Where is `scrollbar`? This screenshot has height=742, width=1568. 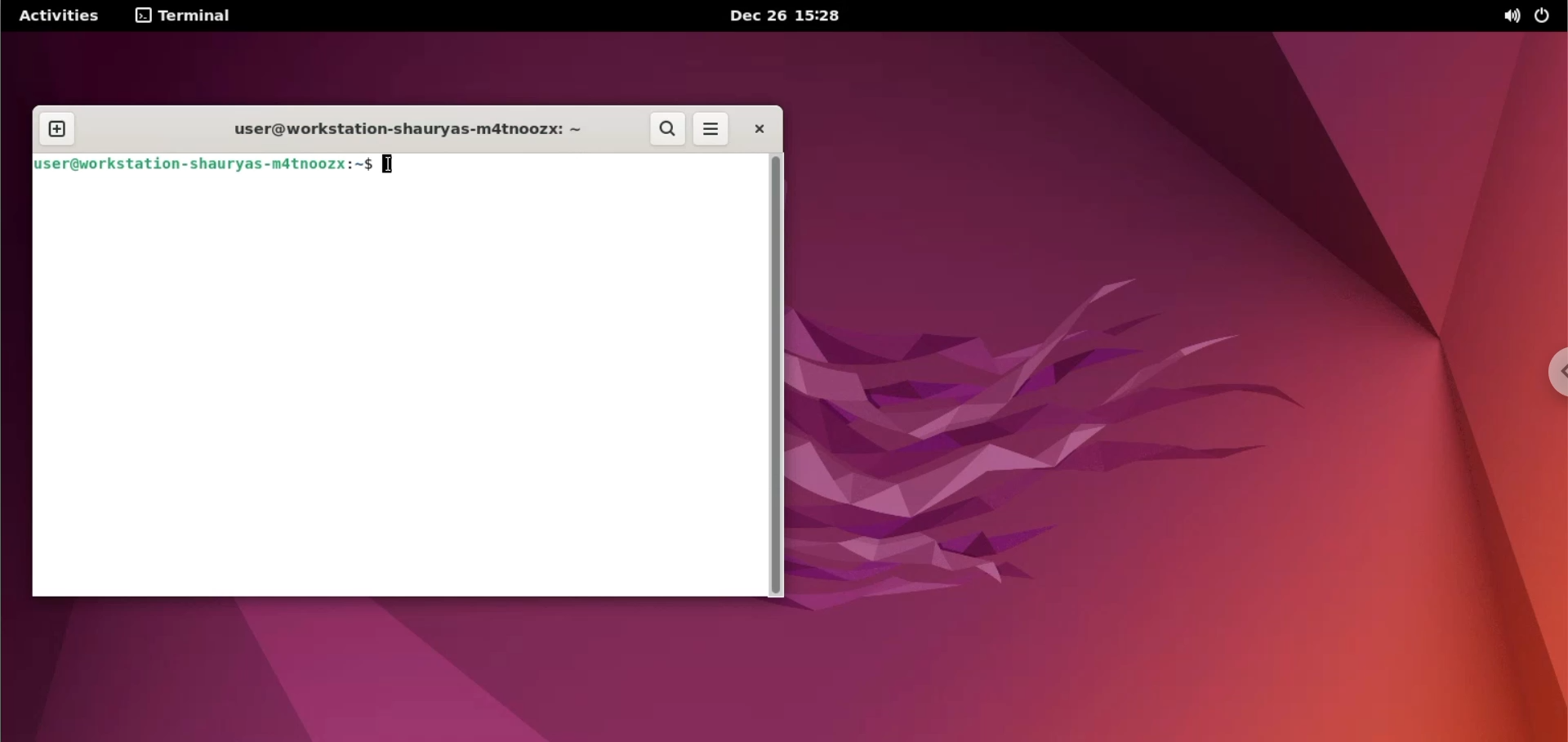 scrollbar is located at coordinates (773, 375).